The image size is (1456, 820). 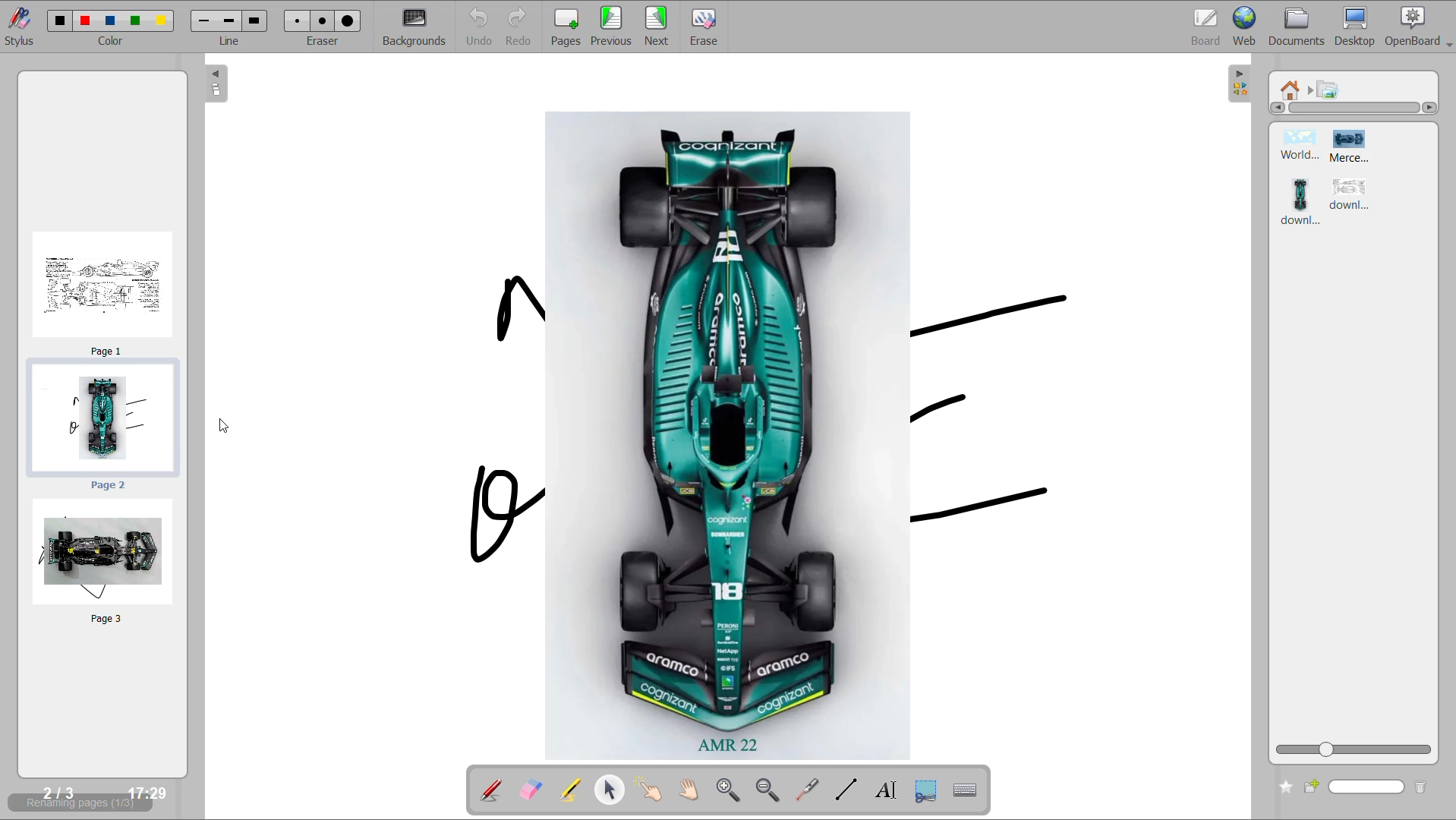 What do you see at coordinates (110, 20) in the screenshot?
I see `color 3` at bounding box center [110, 20].